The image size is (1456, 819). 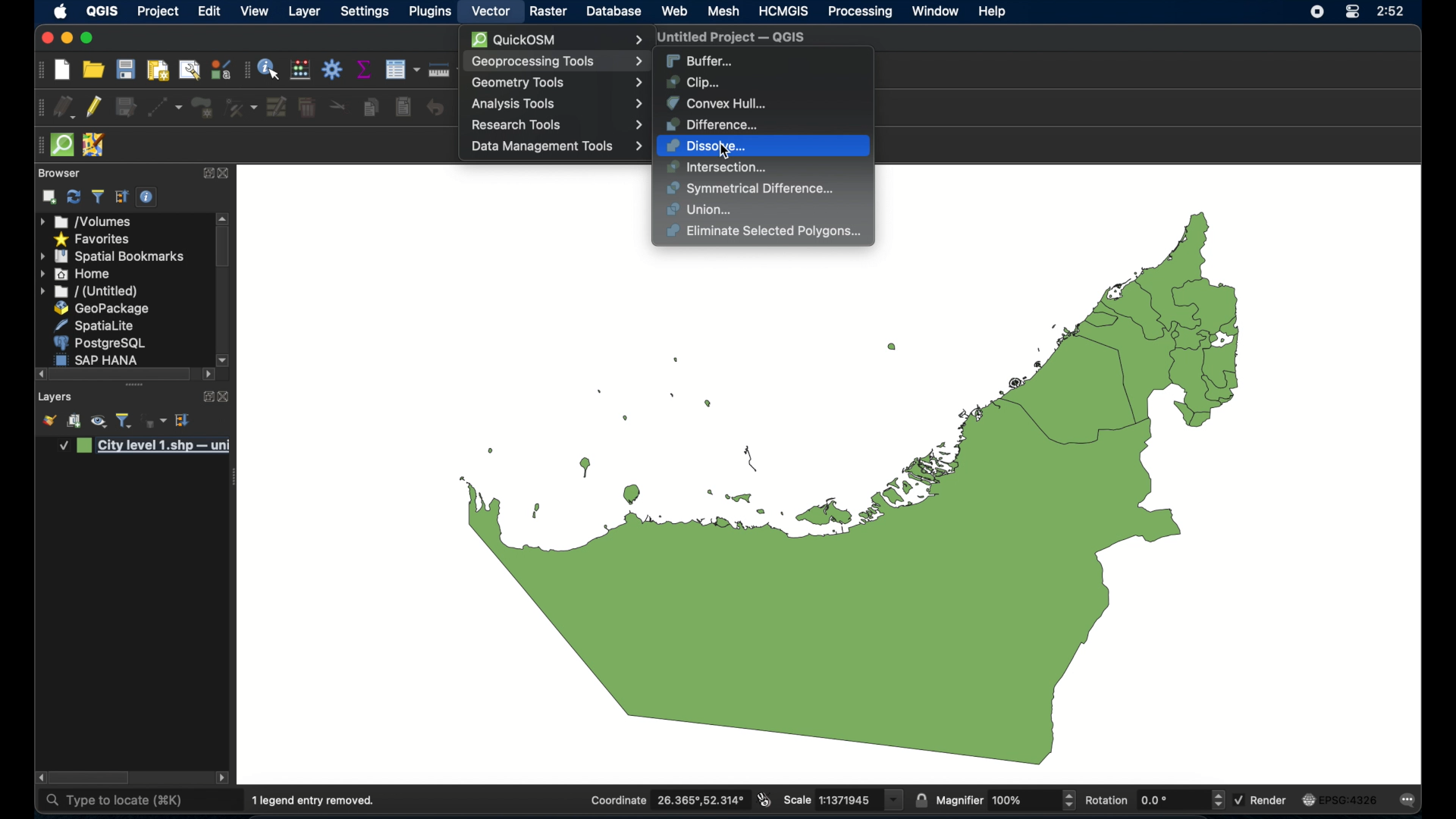 What do you see at coordinates (209, 375) in the screenshot?
I see `scroll right arrow` at bounding box center [209, 375].